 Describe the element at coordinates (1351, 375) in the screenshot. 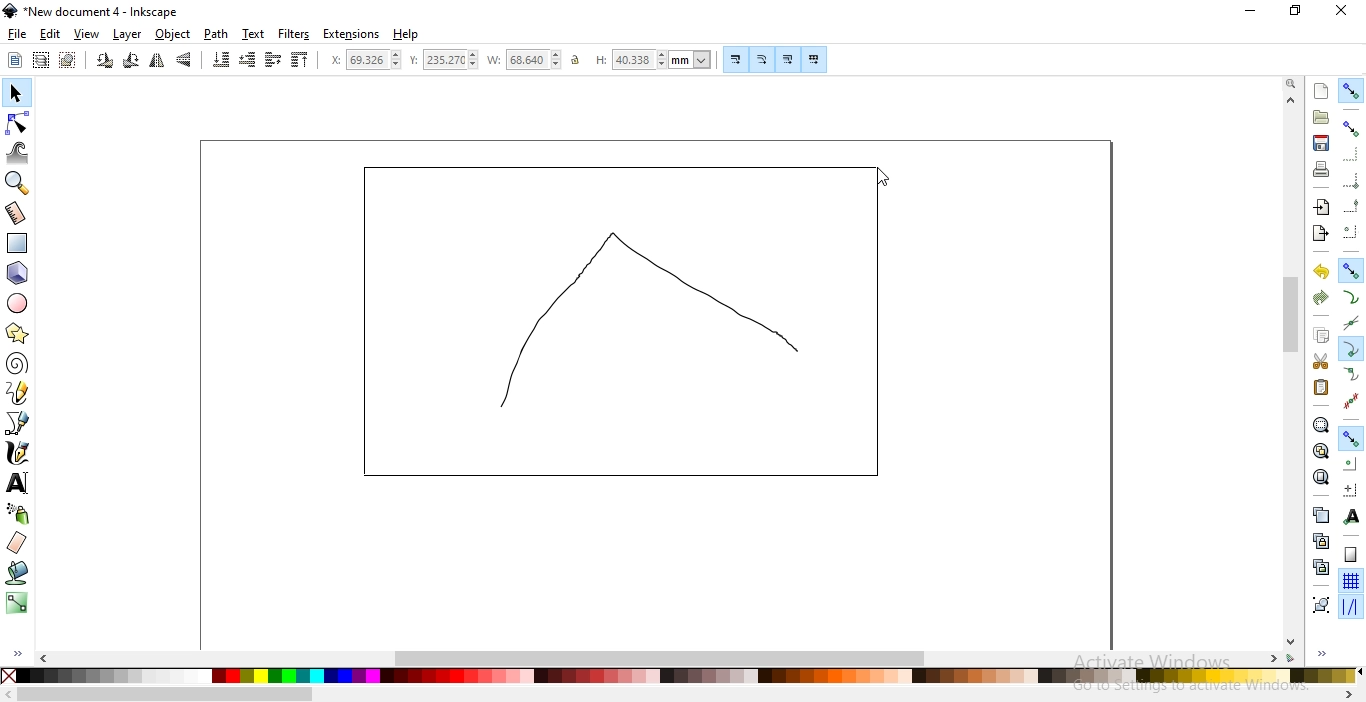

I see `snap smooth nodes` at that location.